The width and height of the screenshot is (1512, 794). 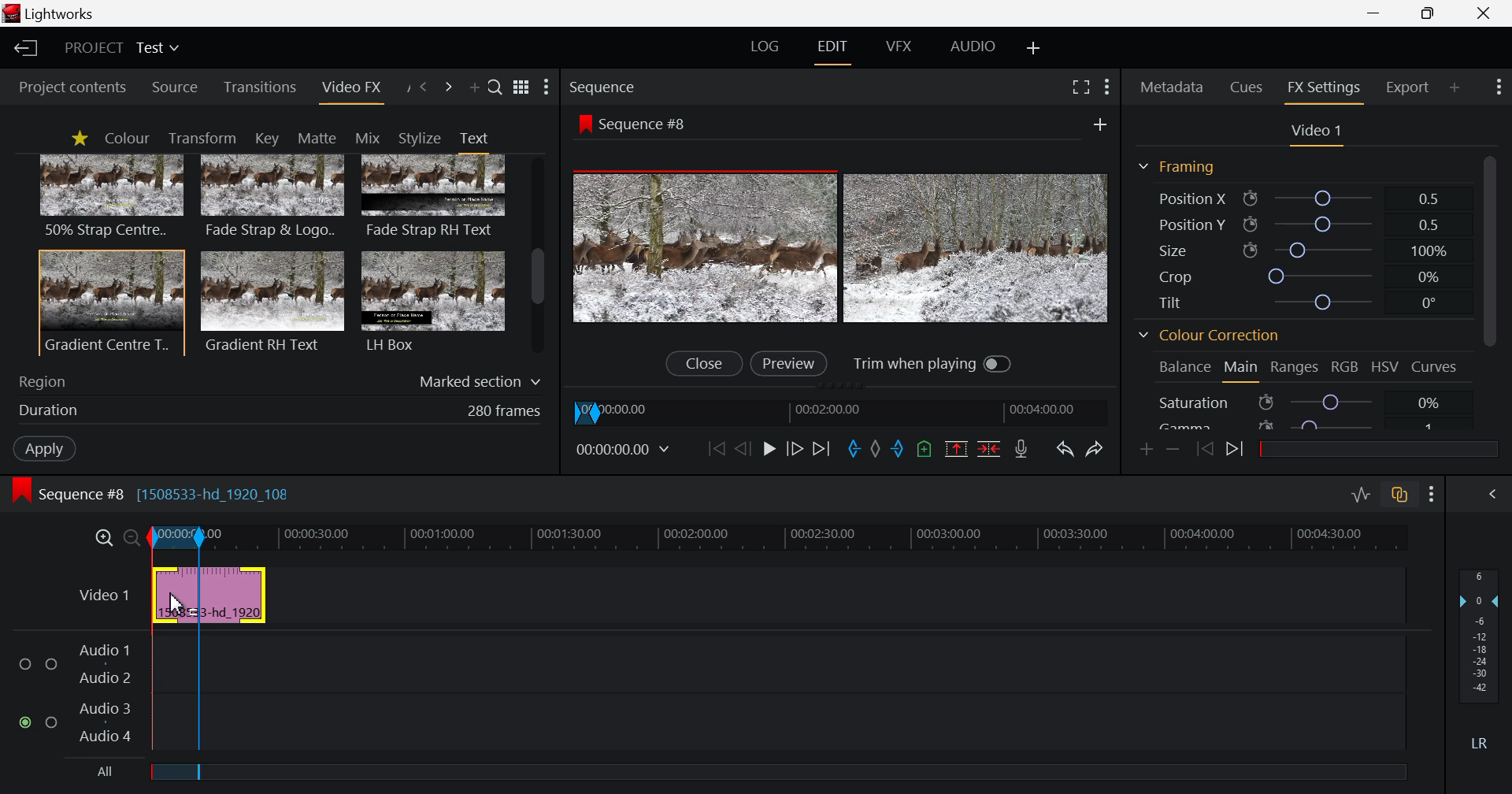 What do you see at coordinates (1296, 199) in the screenshot?
I see `Position X` at bounding box center [1296, 199].